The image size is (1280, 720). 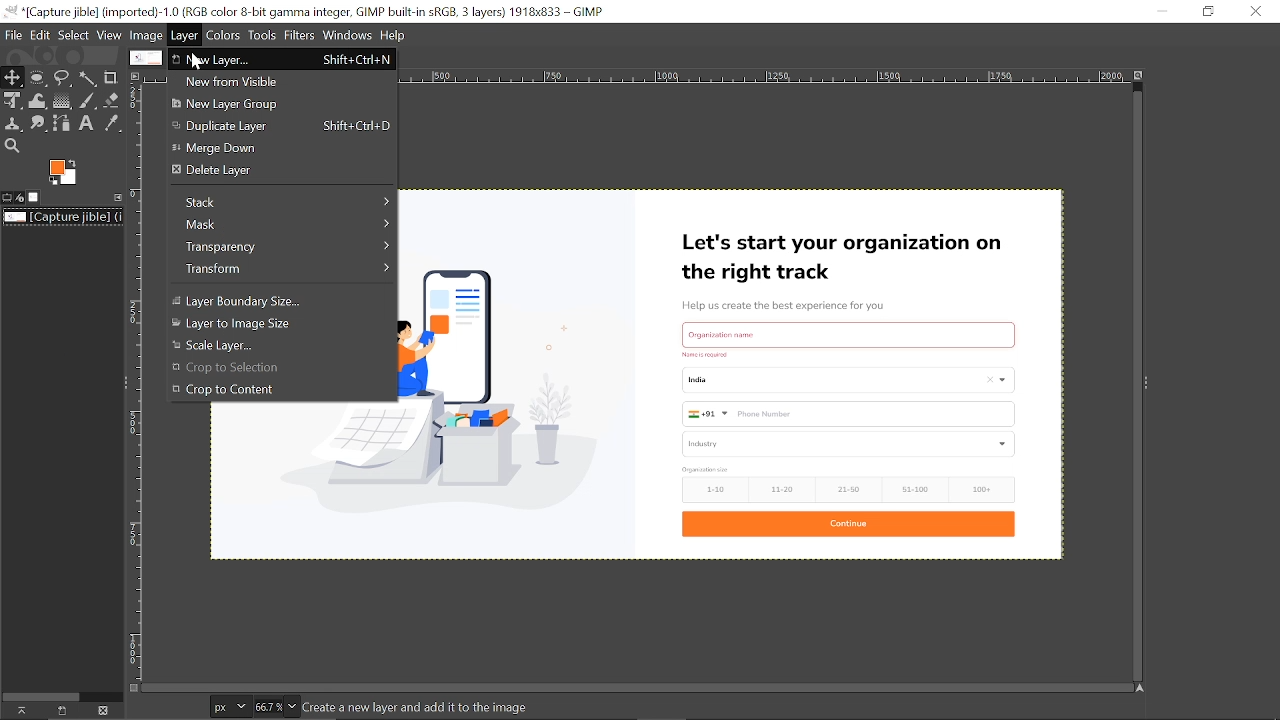 I want to click on Transparency, so click(x=281, y=245).